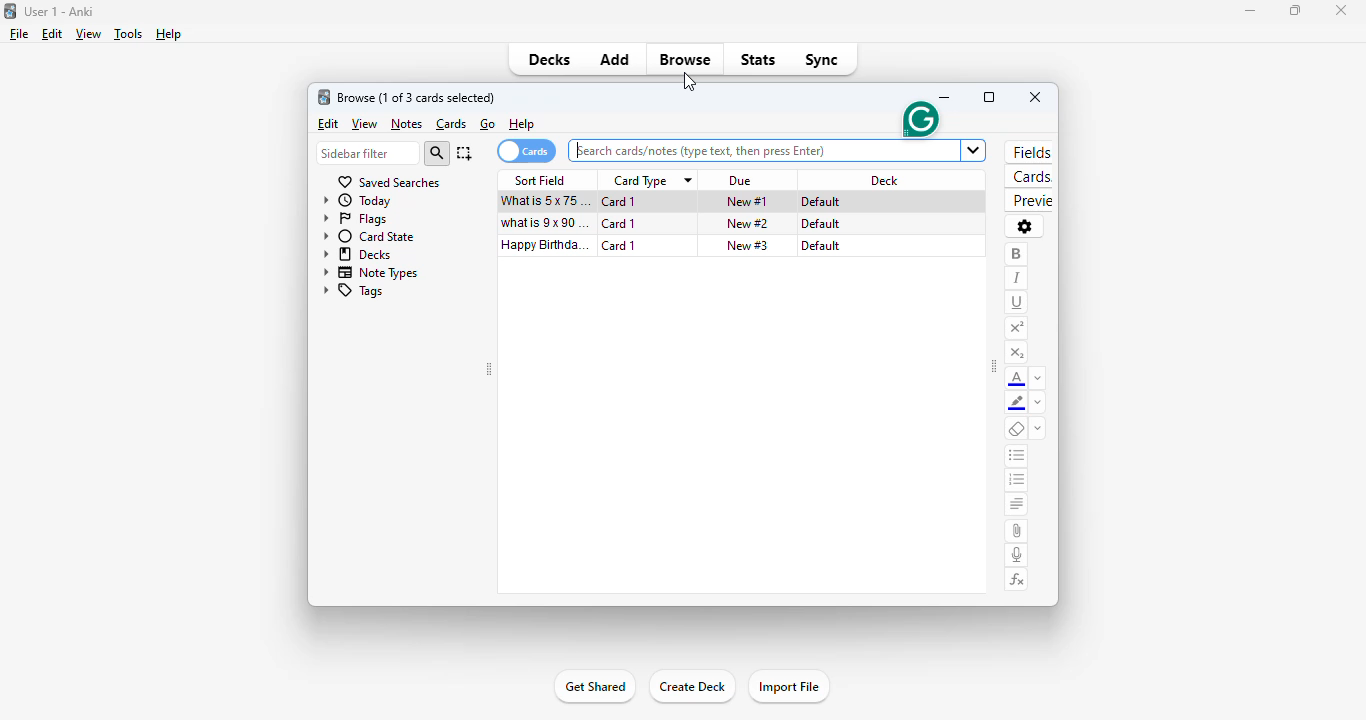  What do you see at coordinates (919, 119) in the screenshot?
I see `grammarly extension` at bounding box center [919, 119].